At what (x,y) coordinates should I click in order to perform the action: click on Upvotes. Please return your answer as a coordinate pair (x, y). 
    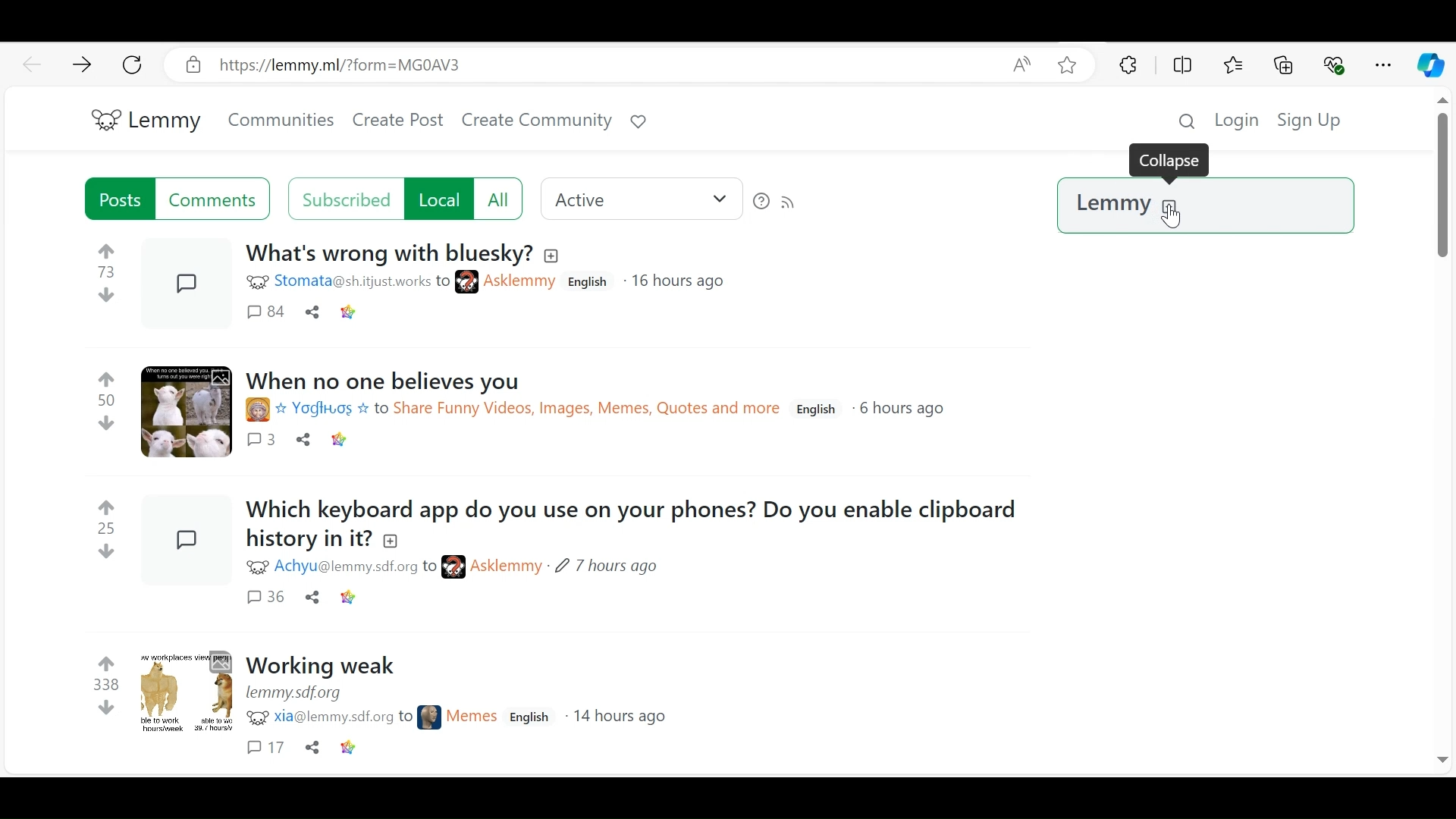
    Looking at the image, I should click on (103, 505).